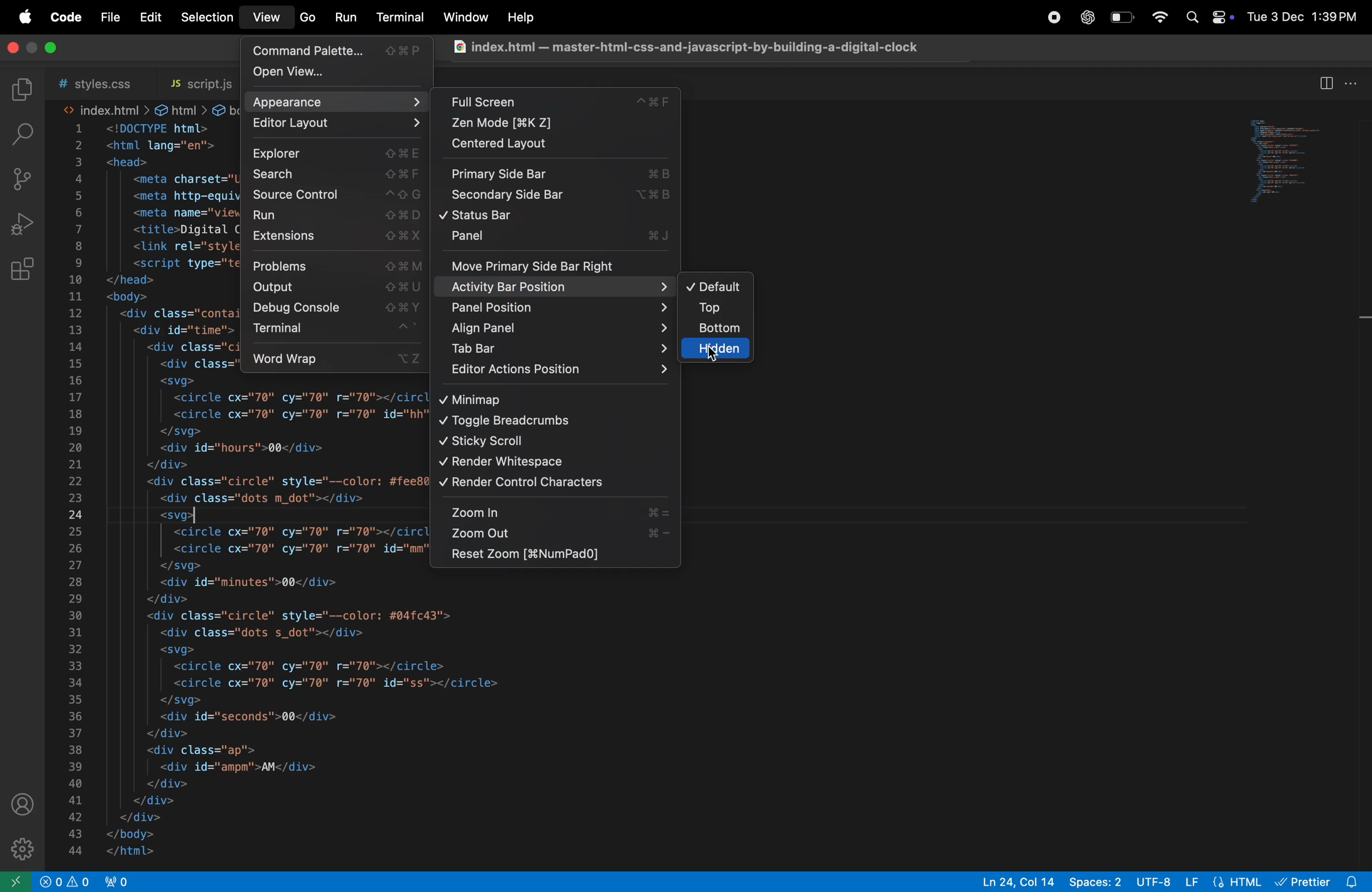 This screenshot has width=1372, height=892. I want to click on panek, so click(560, 237).